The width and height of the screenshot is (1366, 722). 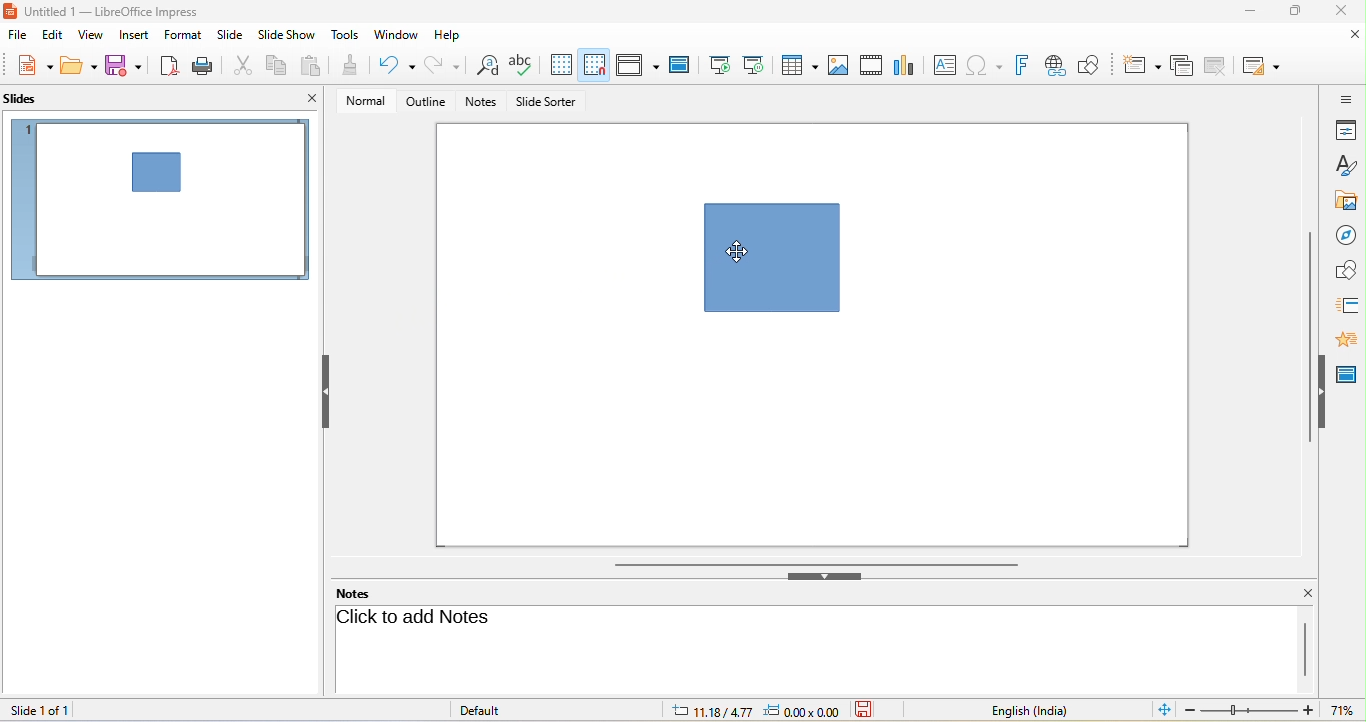 What do you see at coordinates (1142, 66) in the screenshot?
I see `new slide` at bounding box center [1142, 66].